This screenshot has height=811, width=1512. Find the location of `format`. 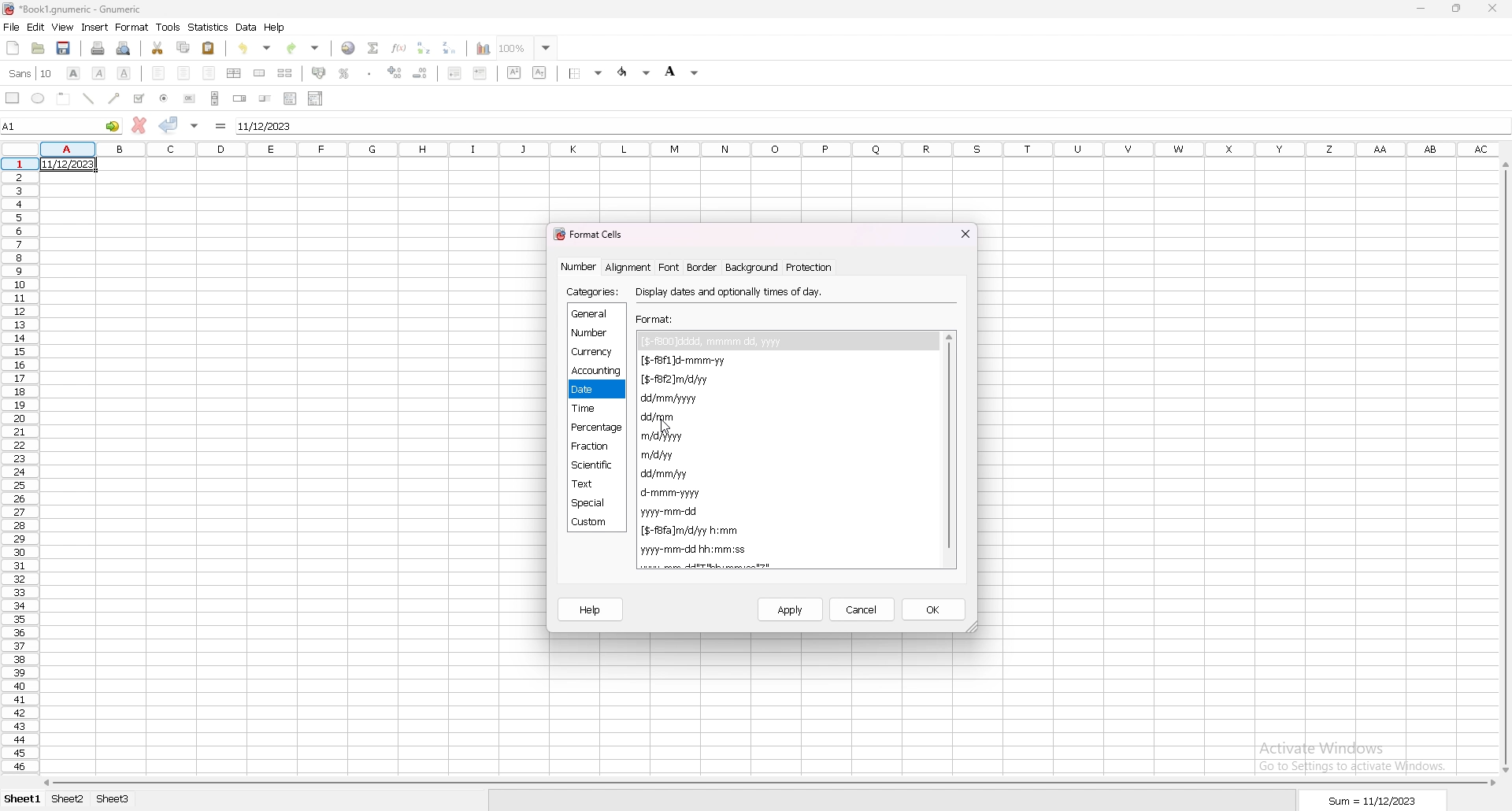

format is located at coordinates (657, 319).